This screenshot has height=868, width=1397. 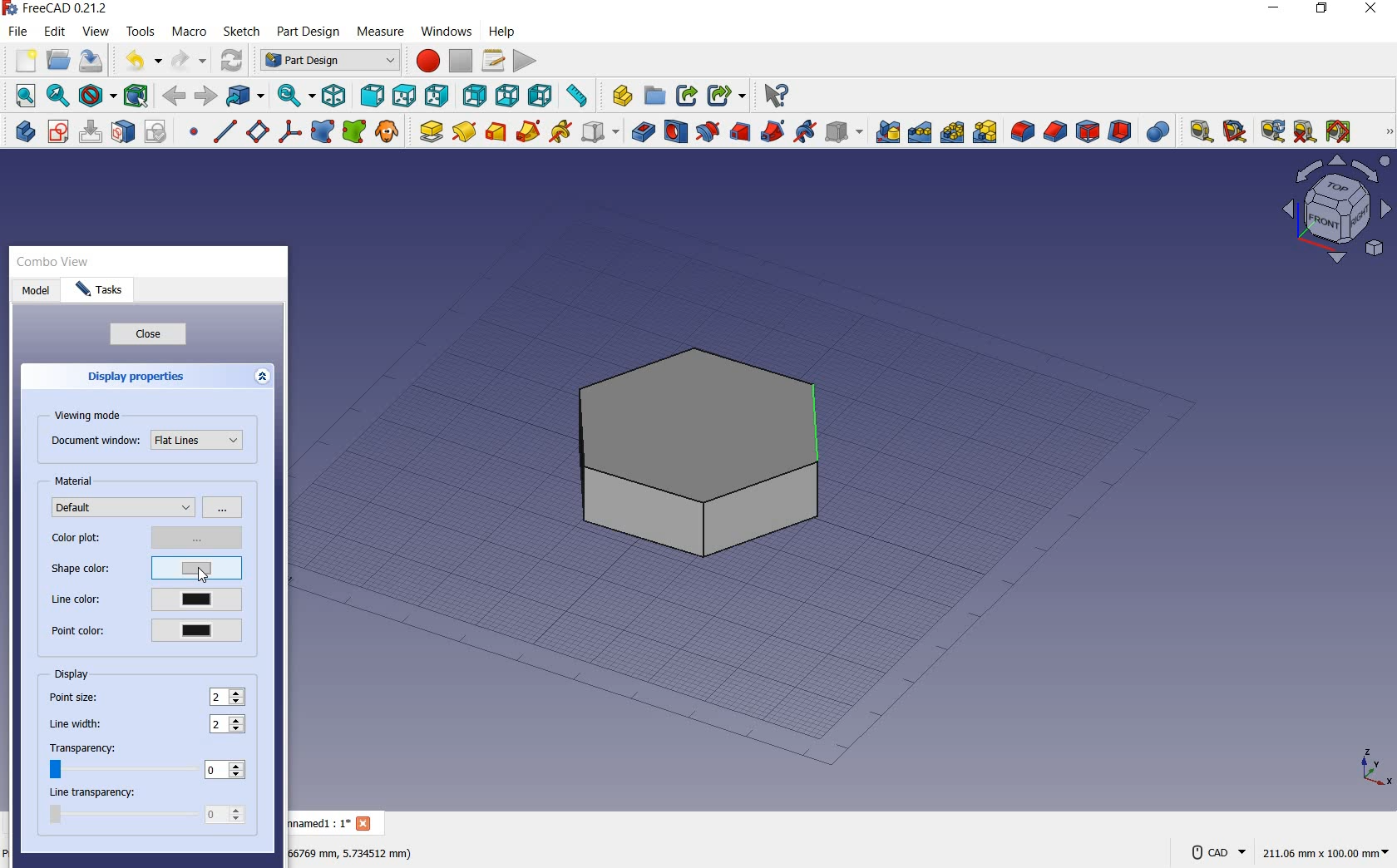 What do you see at coordinates (328, 61) in the screenshot?
I see `Part Design (switch between workbenches)` at bounding box center [328, 61].